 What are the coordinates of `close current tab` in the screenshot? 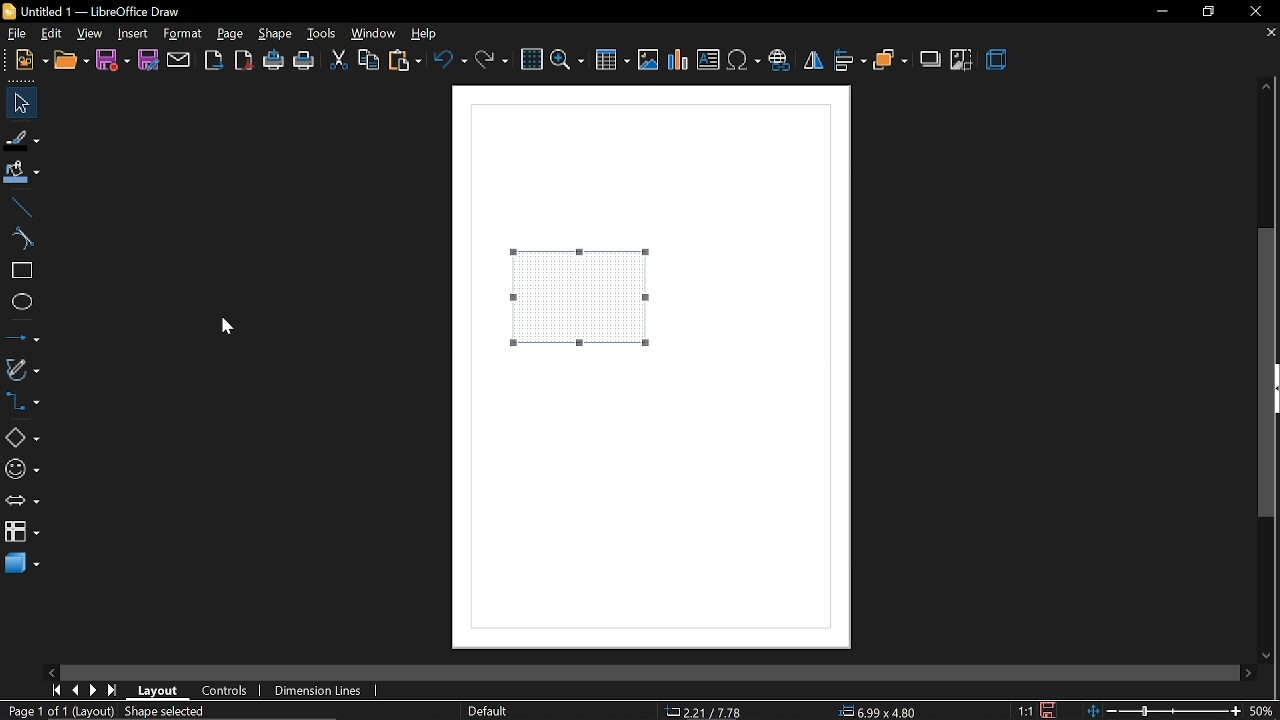 It's located at (1270, 31).